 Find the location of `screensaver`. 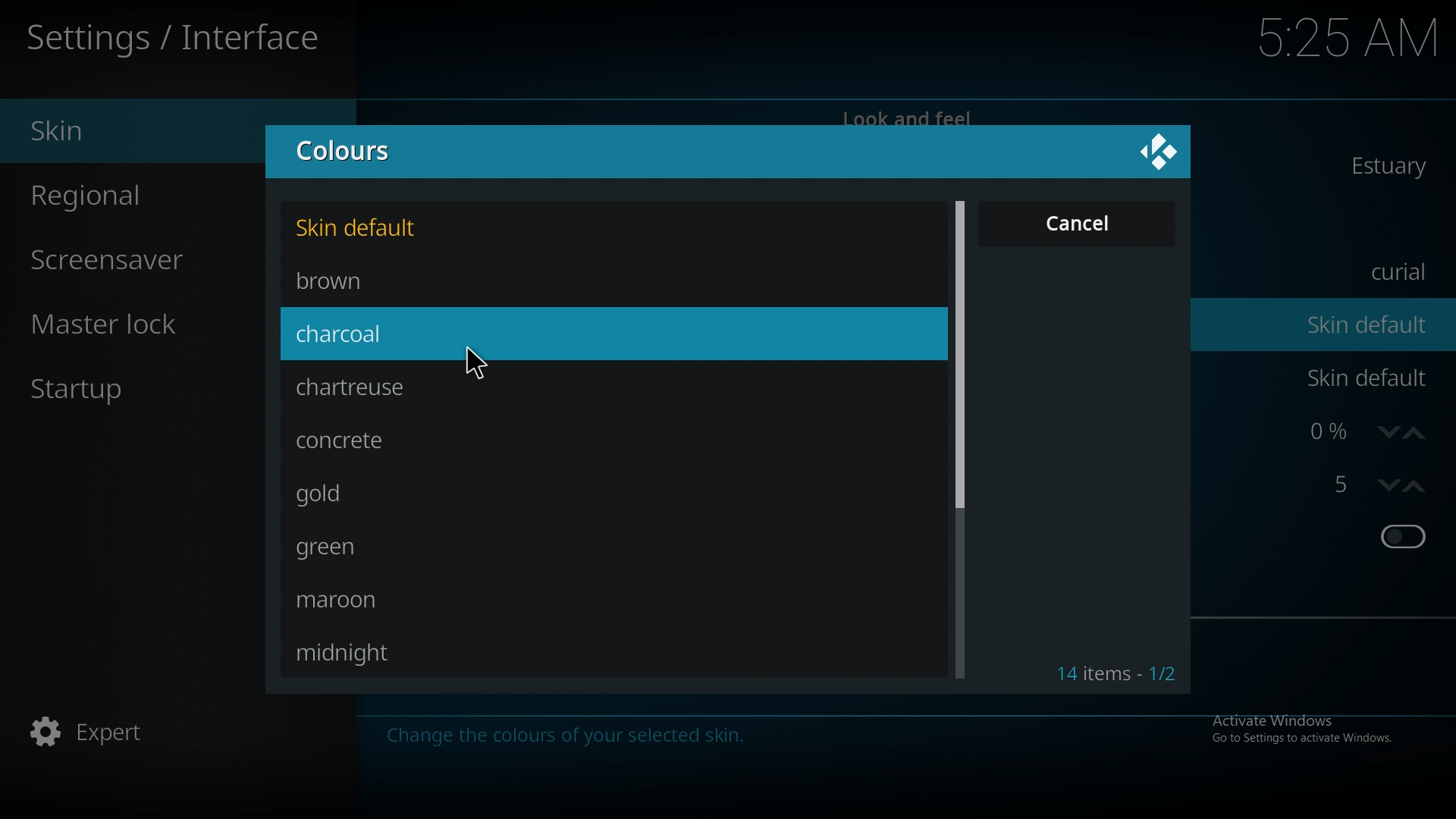

screensaver is located at coordinates (136, 262).